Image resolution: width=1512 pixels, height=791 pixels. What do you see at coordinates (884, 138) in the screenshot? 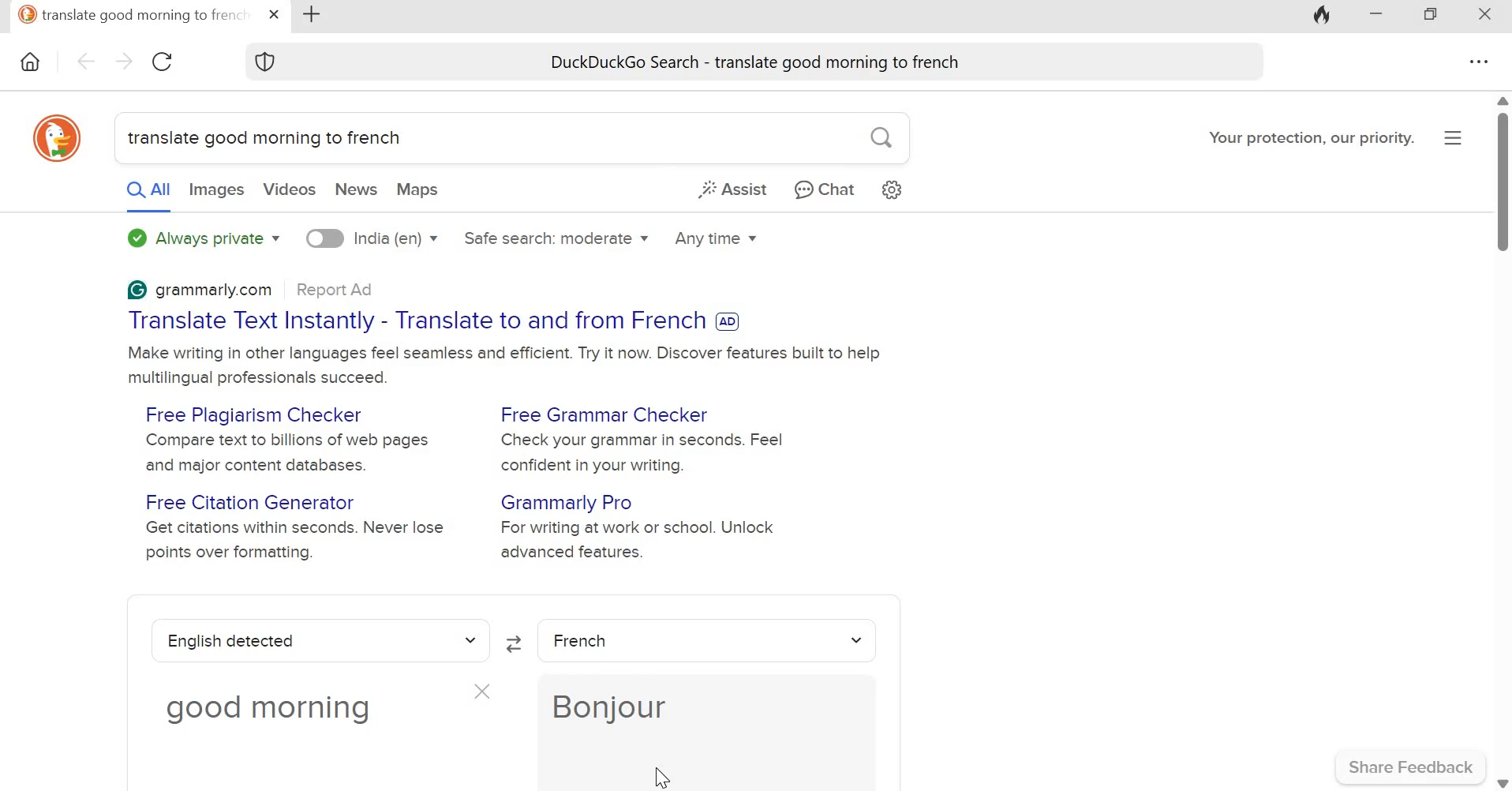
I see `search button` at bounding box center [884, 138].